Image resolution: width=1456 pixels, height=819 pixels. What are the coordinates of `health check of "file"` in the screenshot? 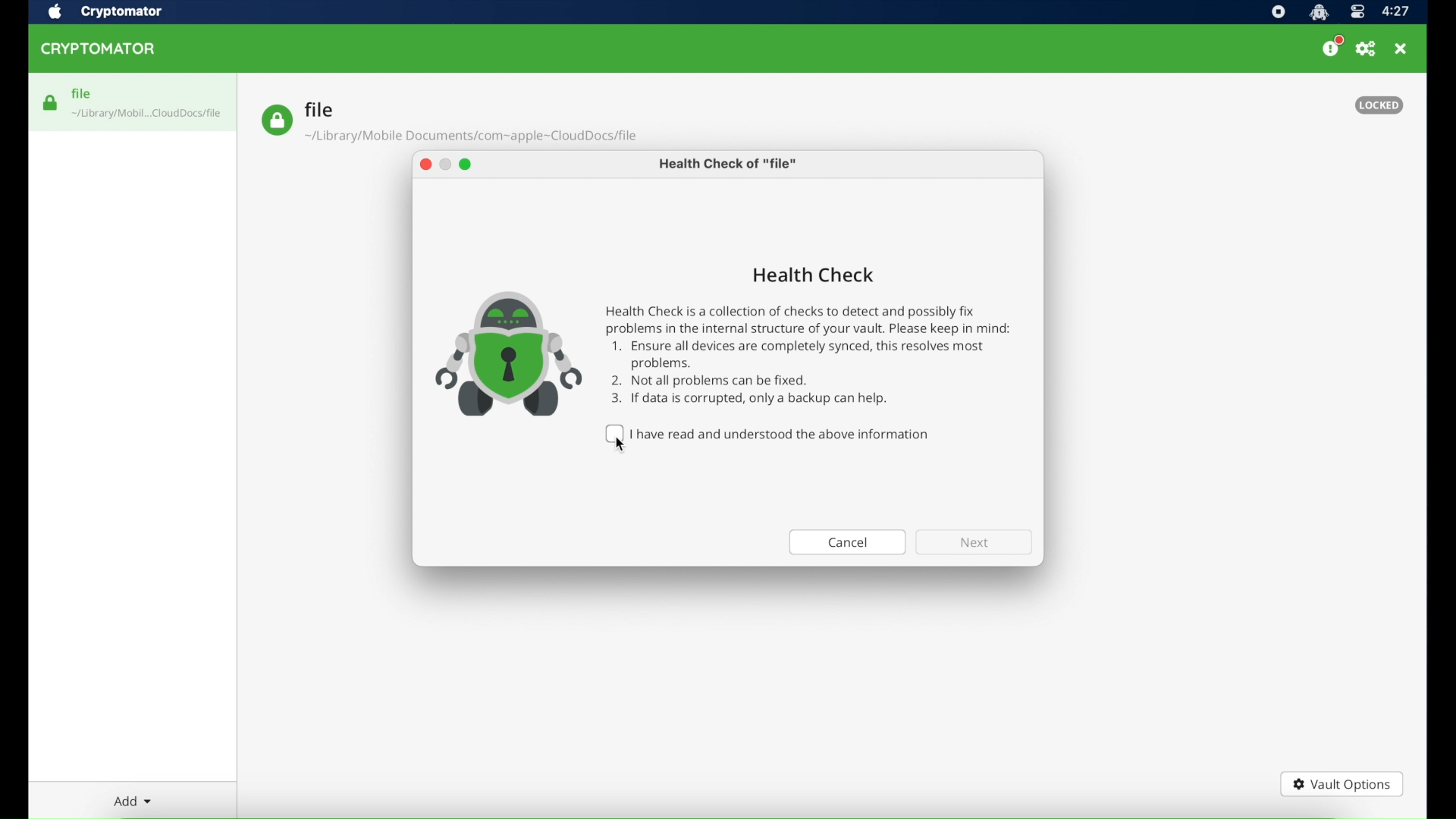 It's located at (729, 167).